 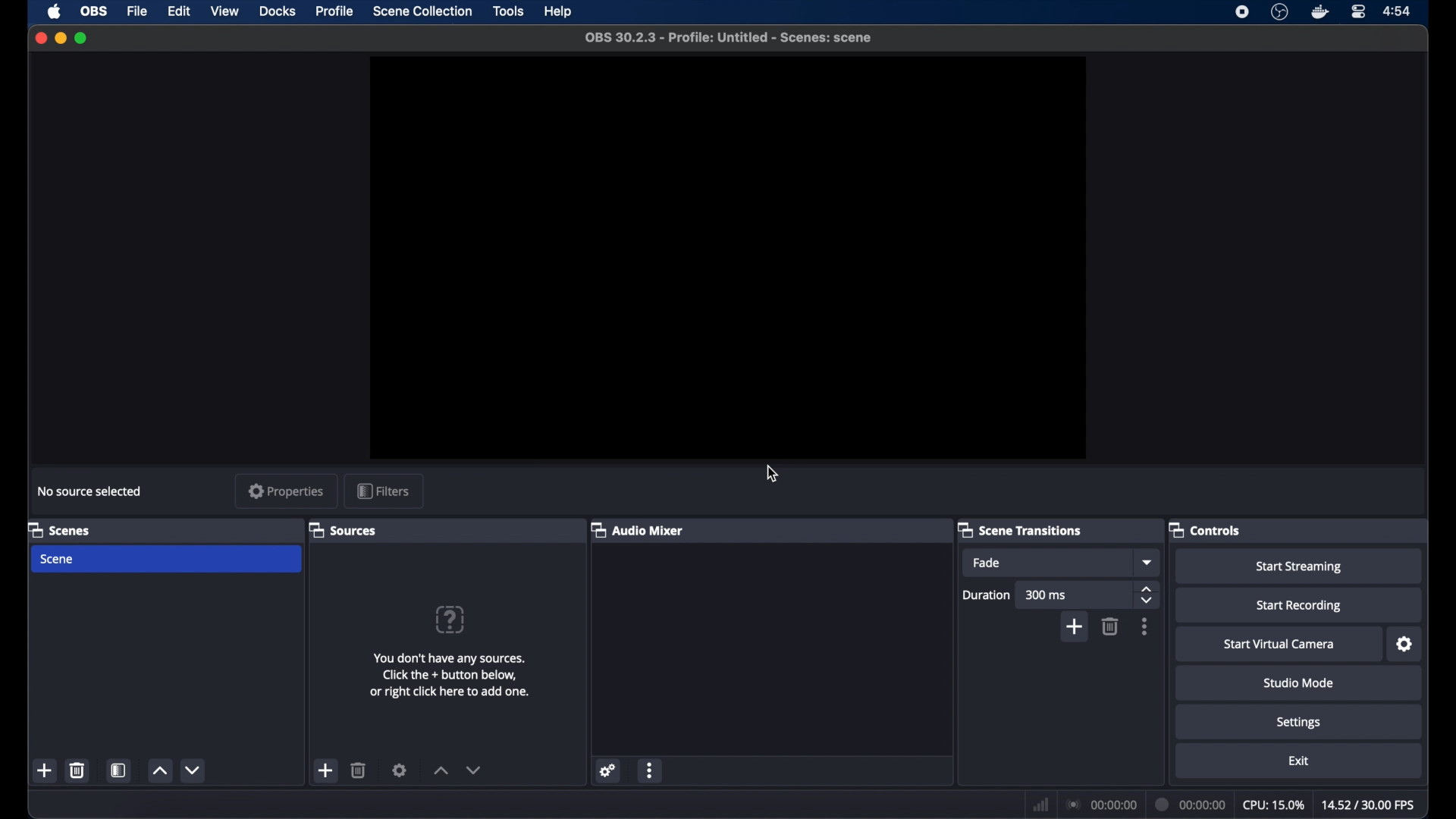 I want to click on scenes, so click(x=61, y=529).